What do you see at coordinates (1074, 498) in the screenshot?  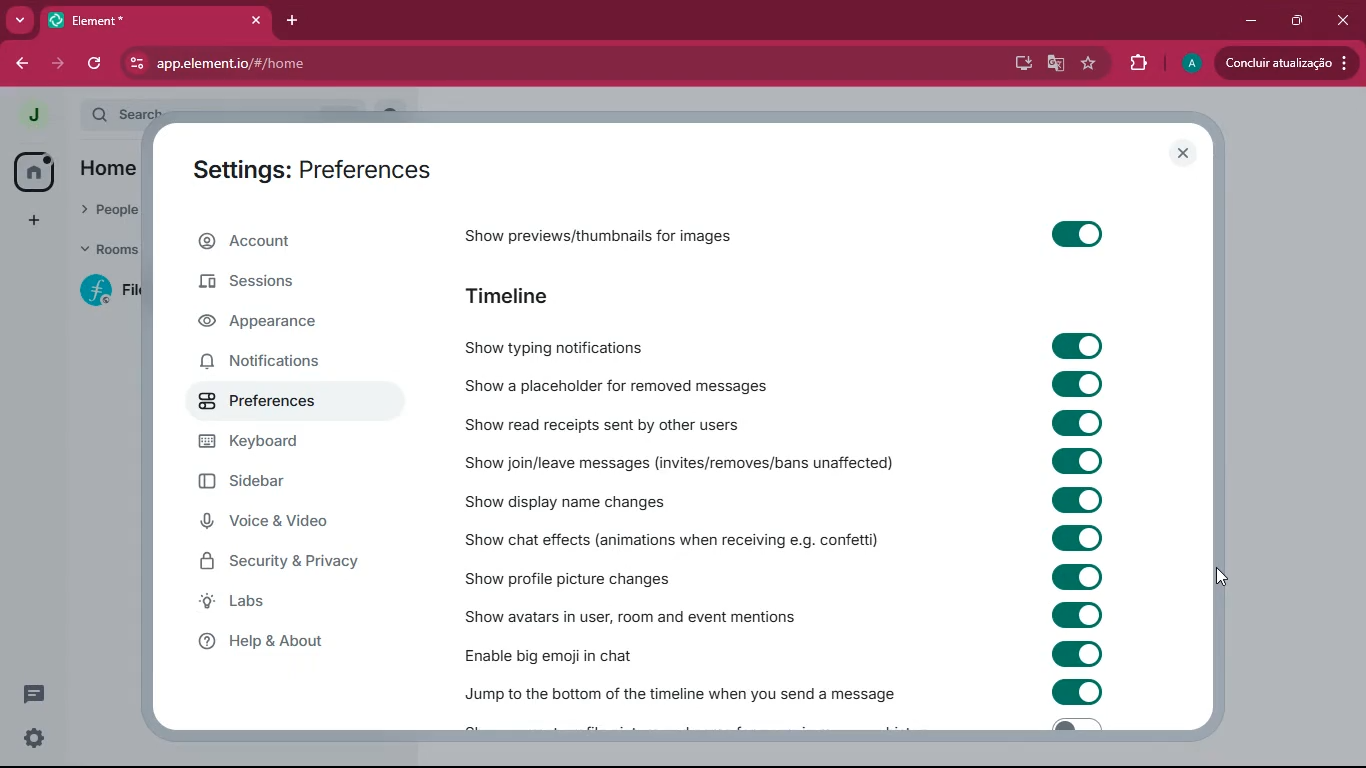 I see `toggle on ` at bounding box center [1074, 498].